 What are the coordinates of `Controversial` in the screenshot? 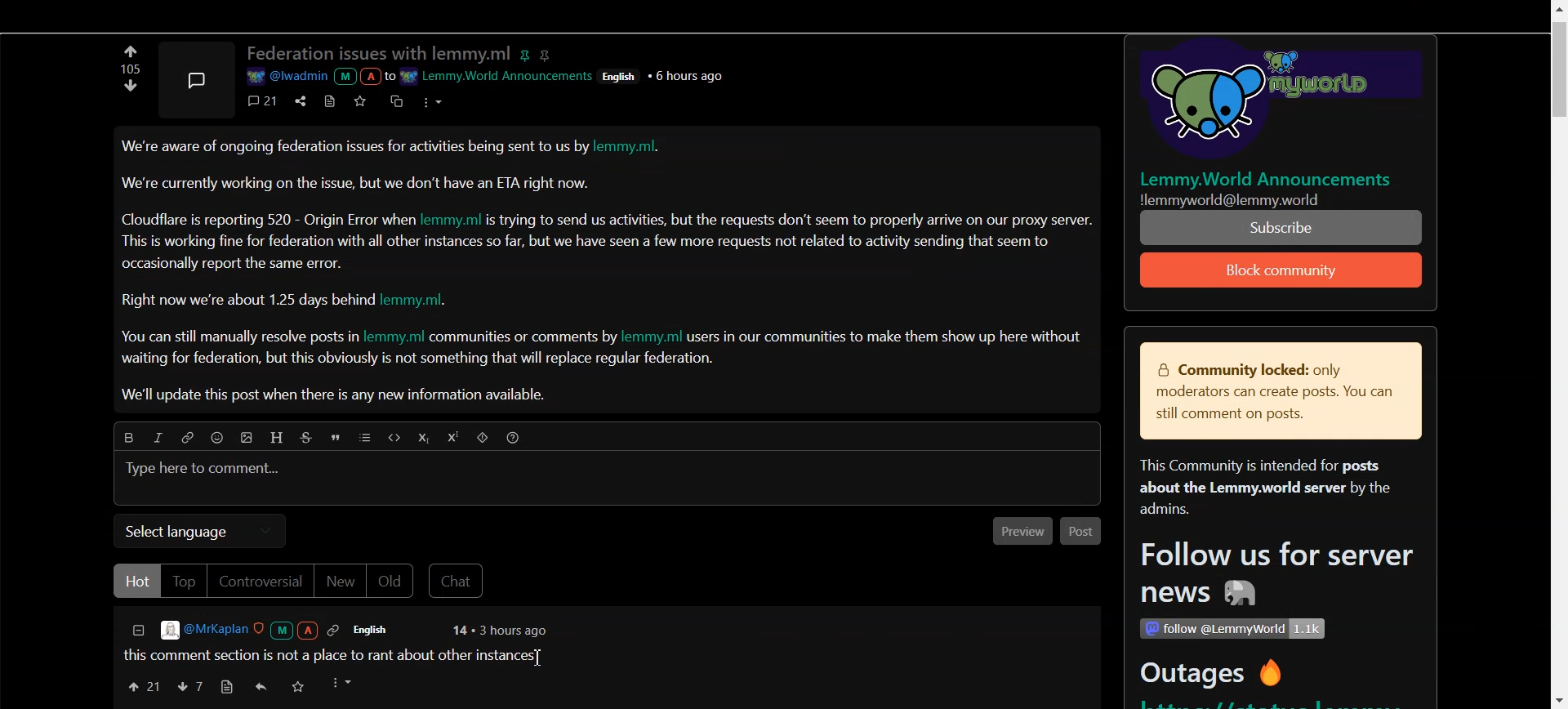 It's located at (260, 582).